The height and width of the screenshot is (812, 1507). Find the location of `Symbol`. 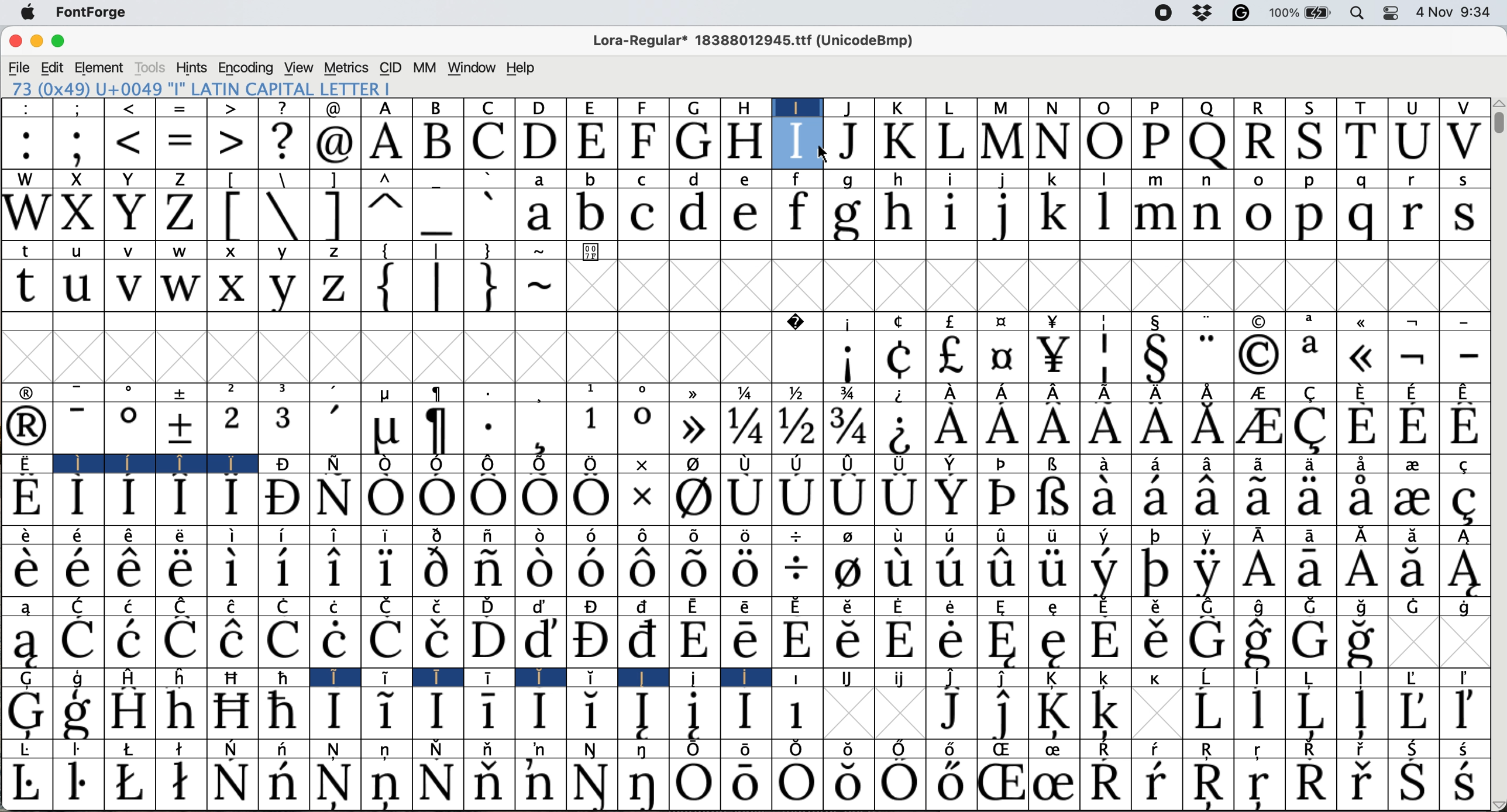

Symbol is located at coordinates (438, 534).